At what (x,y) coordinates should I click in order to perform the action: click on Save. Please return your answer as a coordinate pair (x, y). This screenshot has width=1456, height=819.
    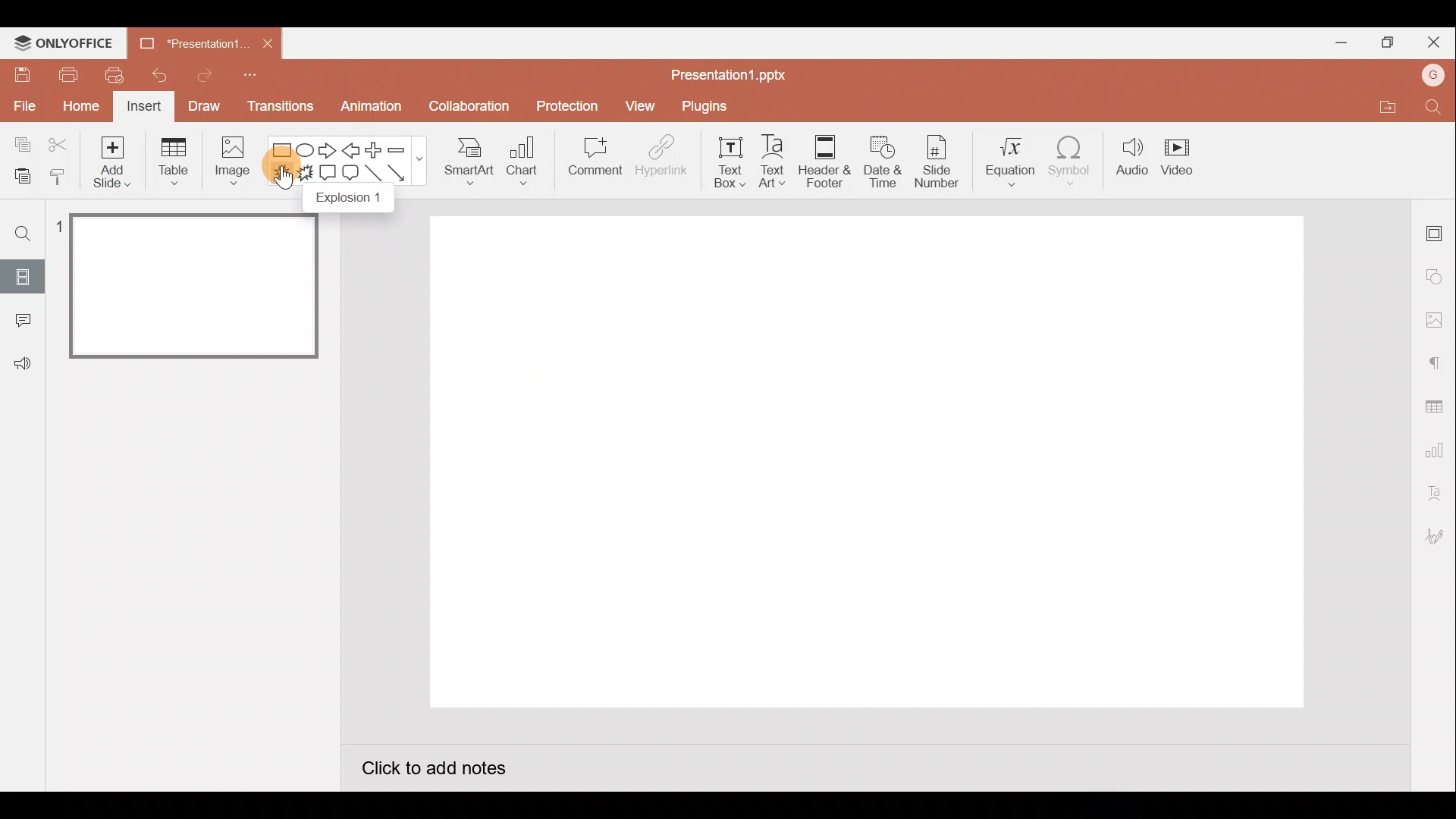
    Looking at the image, I should click on (22, 77).